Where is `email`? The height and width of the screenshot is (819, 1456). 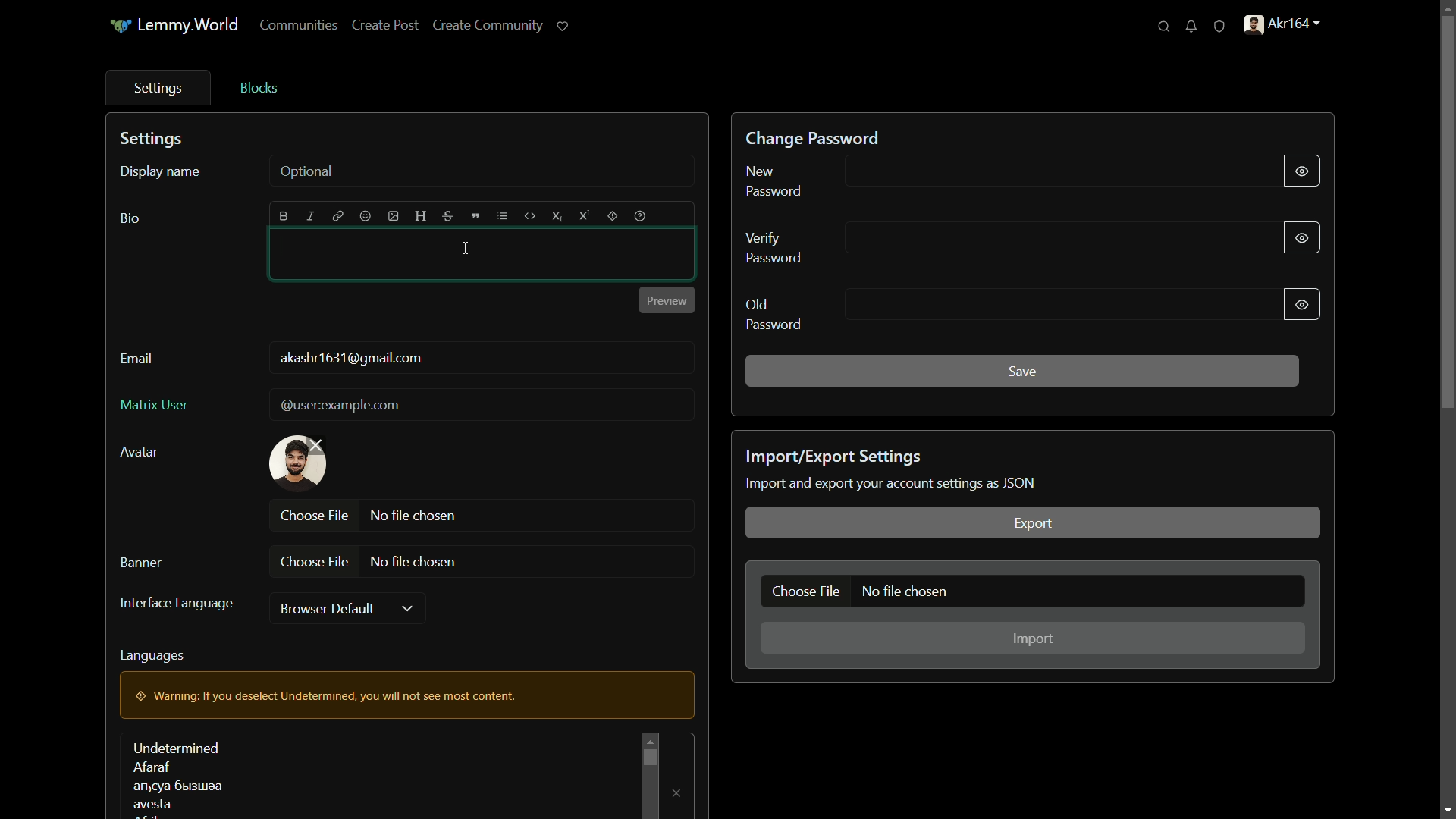 email is located at coordinates (137, 359).